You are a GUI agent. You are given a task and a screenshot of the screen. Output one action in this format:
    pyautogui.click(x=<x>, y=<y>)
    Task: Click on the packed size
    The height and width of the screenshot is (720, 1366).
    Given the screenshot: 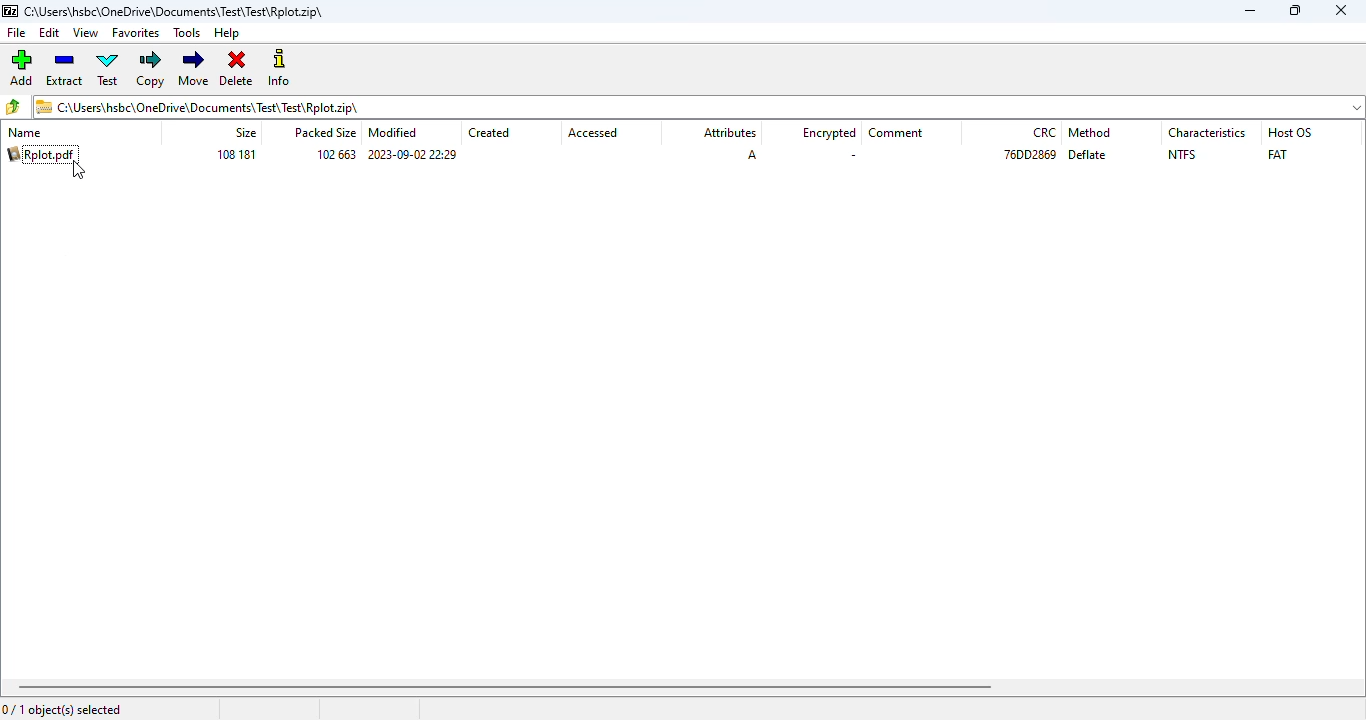 What is the action you would take?
    pyautogui.click(x=325, y=133)
    